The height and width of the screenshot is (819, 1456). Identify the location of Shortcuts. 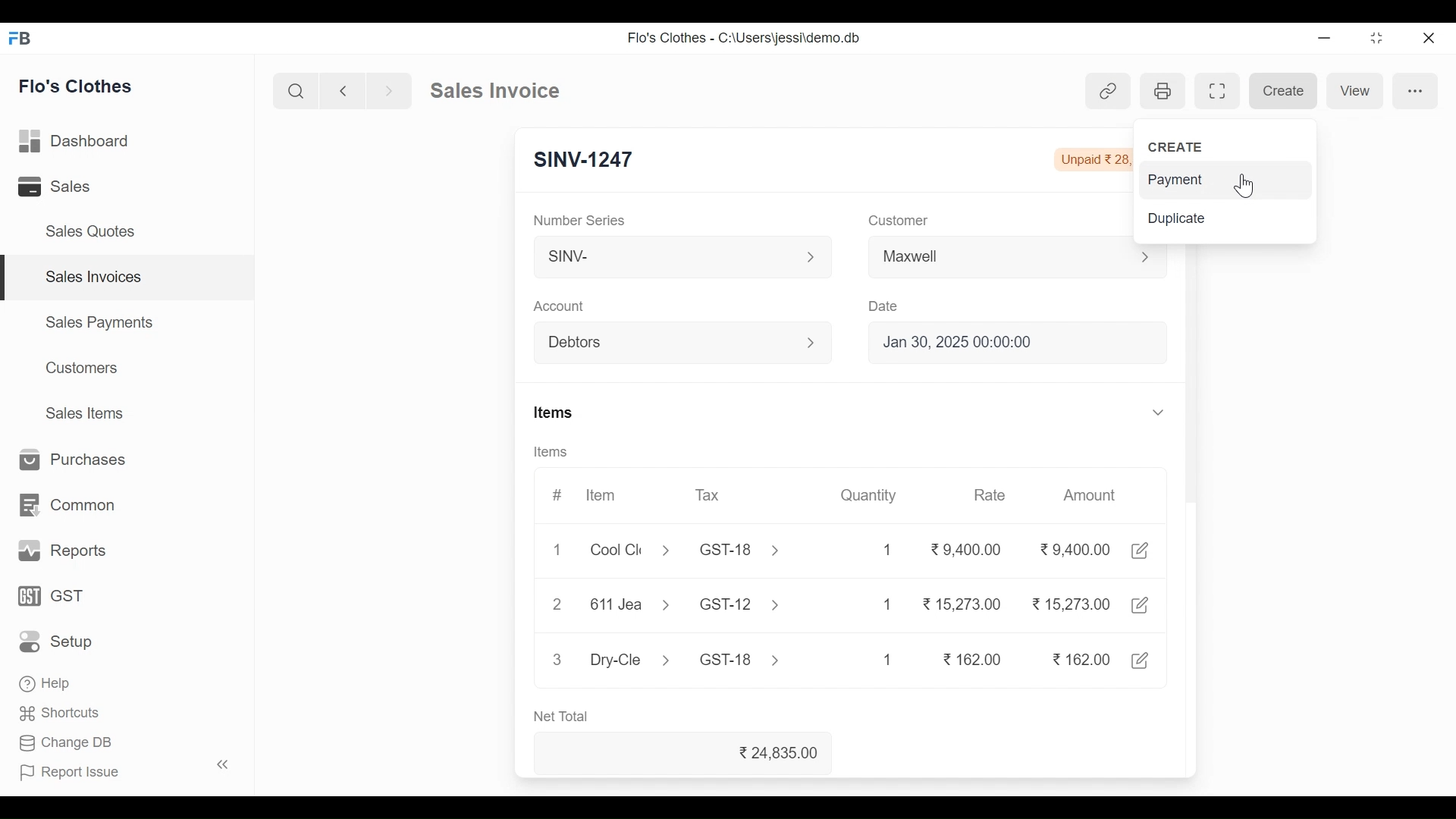
(61, 716).